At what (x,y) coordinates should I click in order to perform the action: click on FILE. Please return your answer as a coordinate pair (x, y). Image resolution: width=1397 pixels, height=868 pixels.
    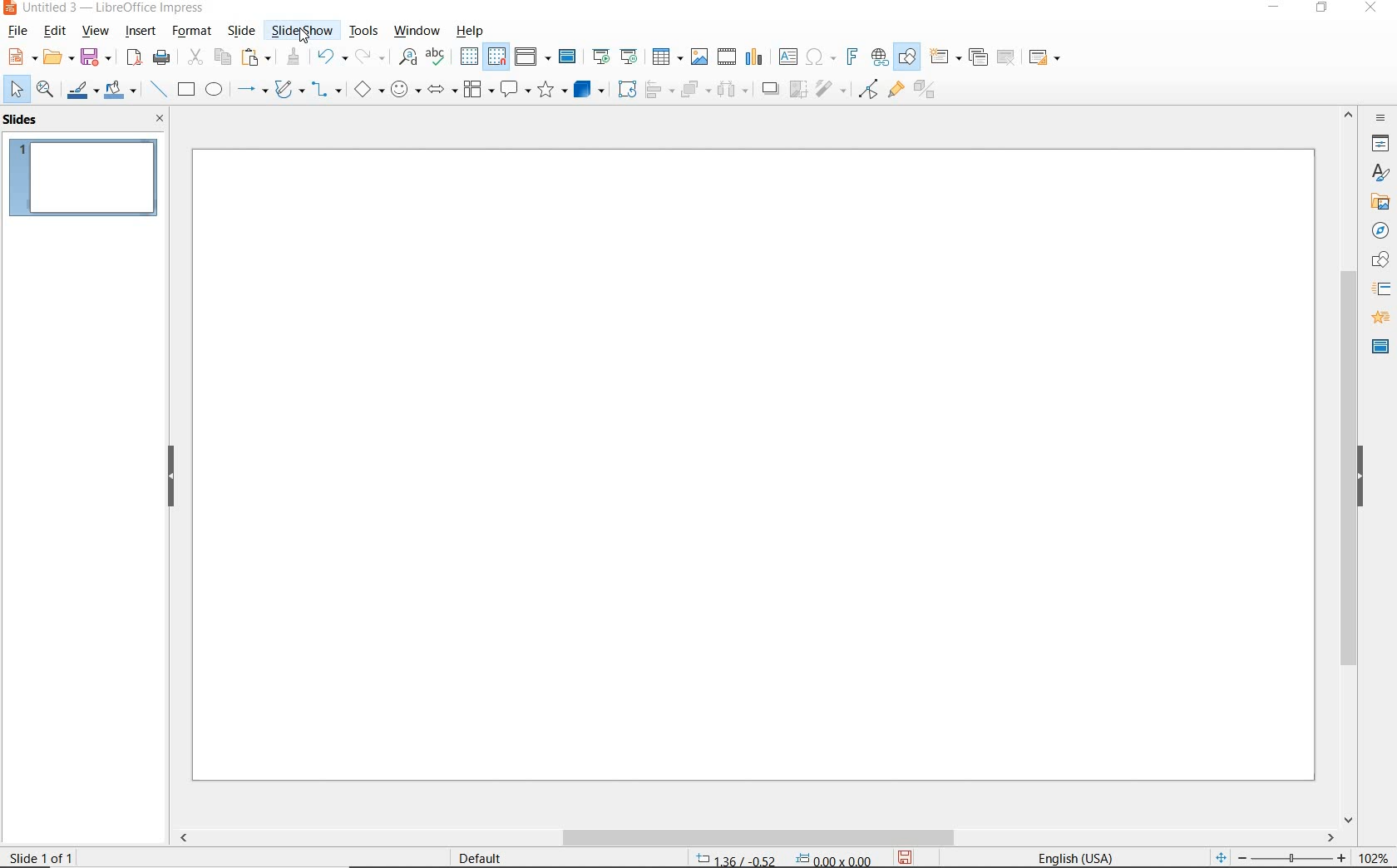
    Looking at the image, I should click on (15, 31).